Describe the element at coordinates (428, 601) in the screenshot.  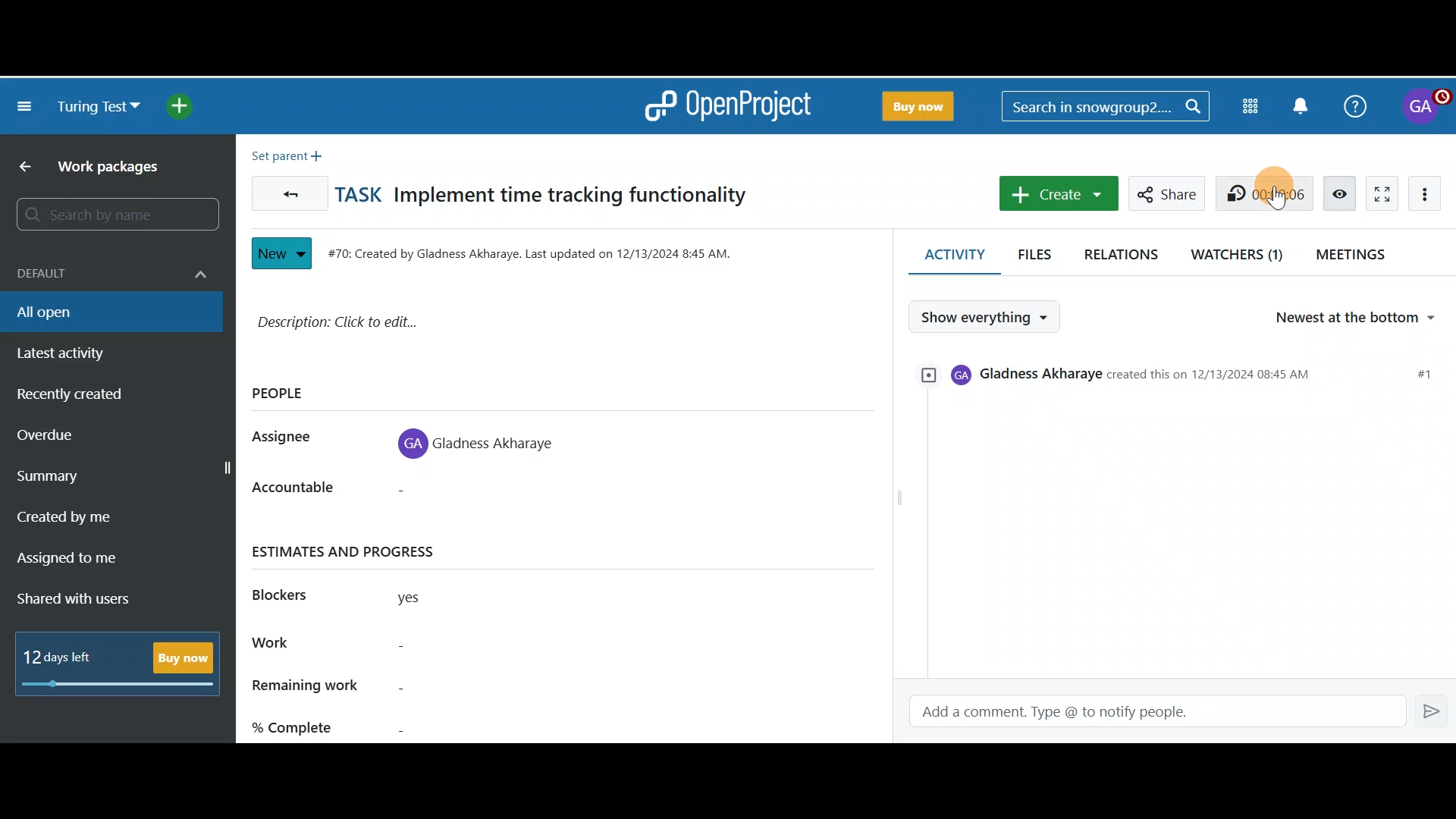
I see `yes` at that location.